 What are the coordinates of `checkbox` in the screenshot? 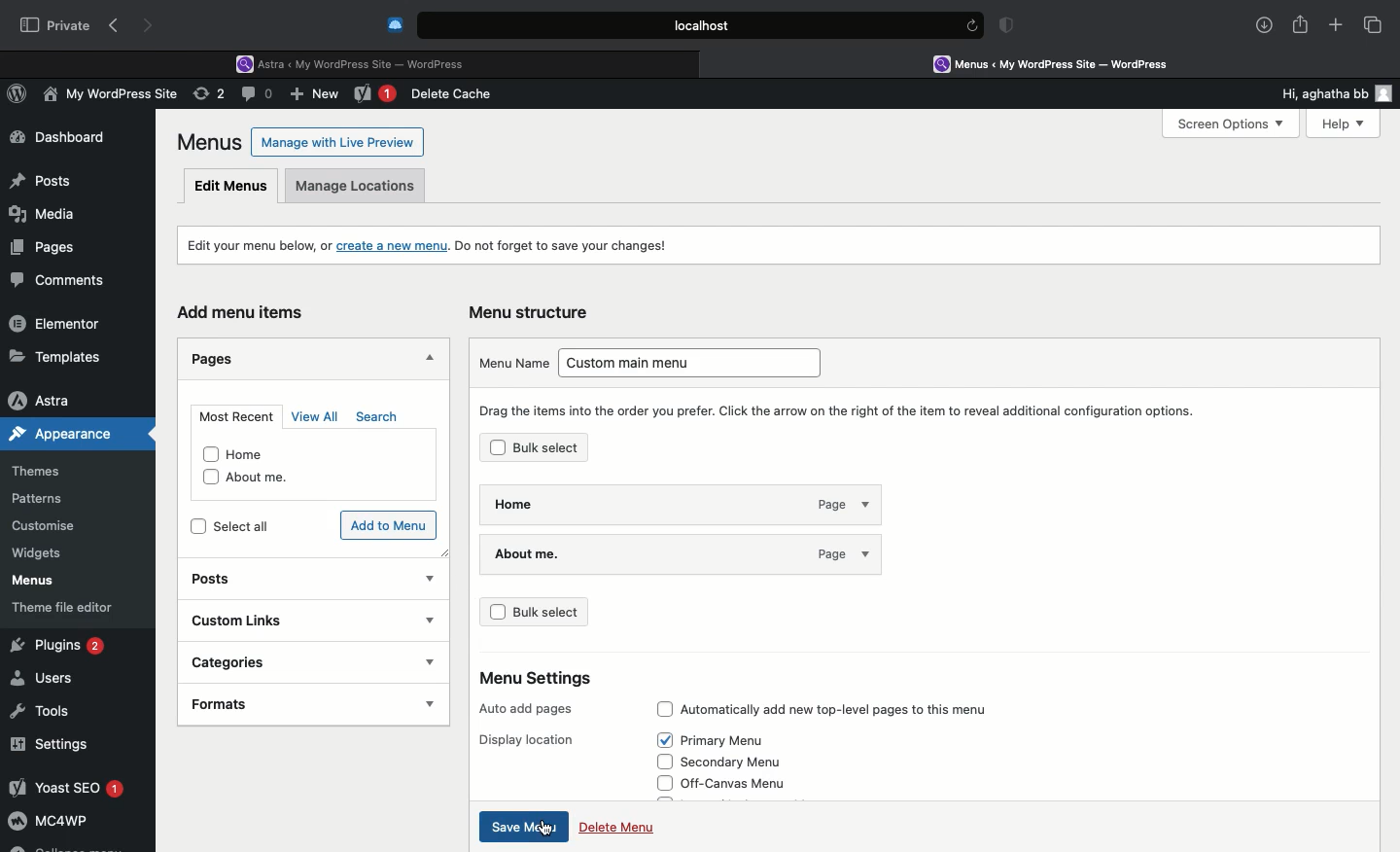 It's located at (211, 453).